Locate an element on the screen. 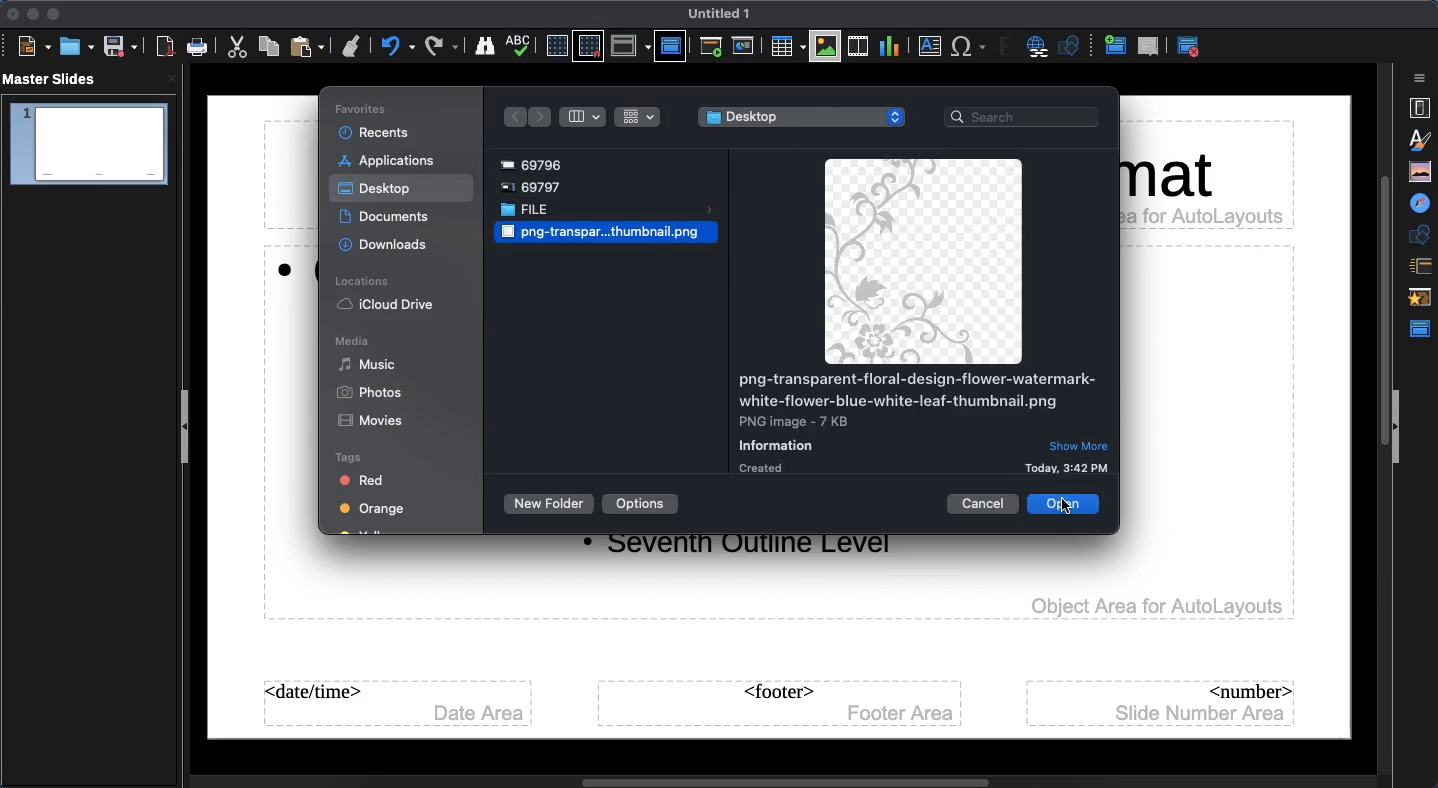  Print is located at coordinates (198, 47).